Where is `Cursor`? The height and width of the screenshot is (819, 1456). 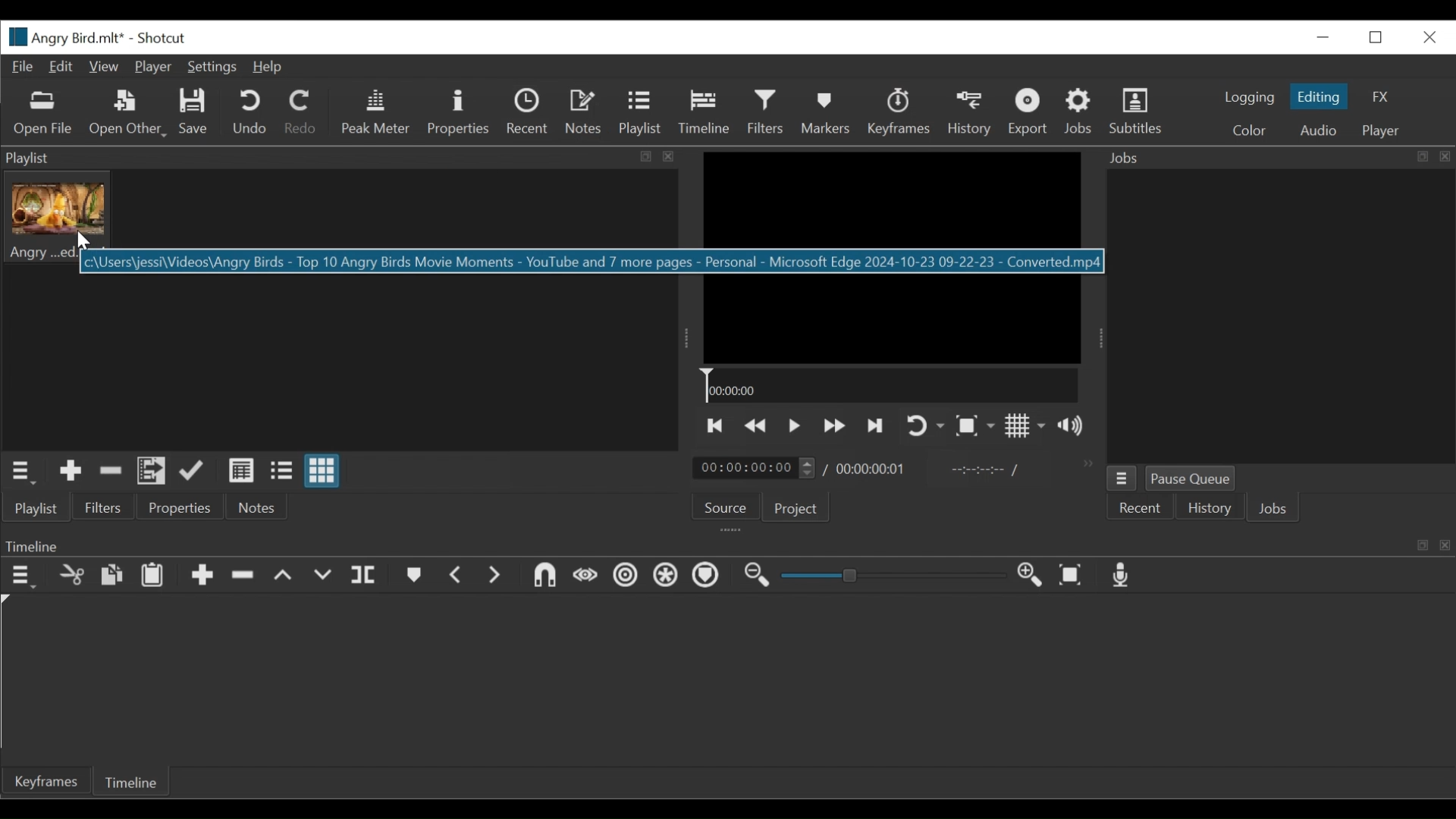
Cursor is located at coordinates (713, 117).